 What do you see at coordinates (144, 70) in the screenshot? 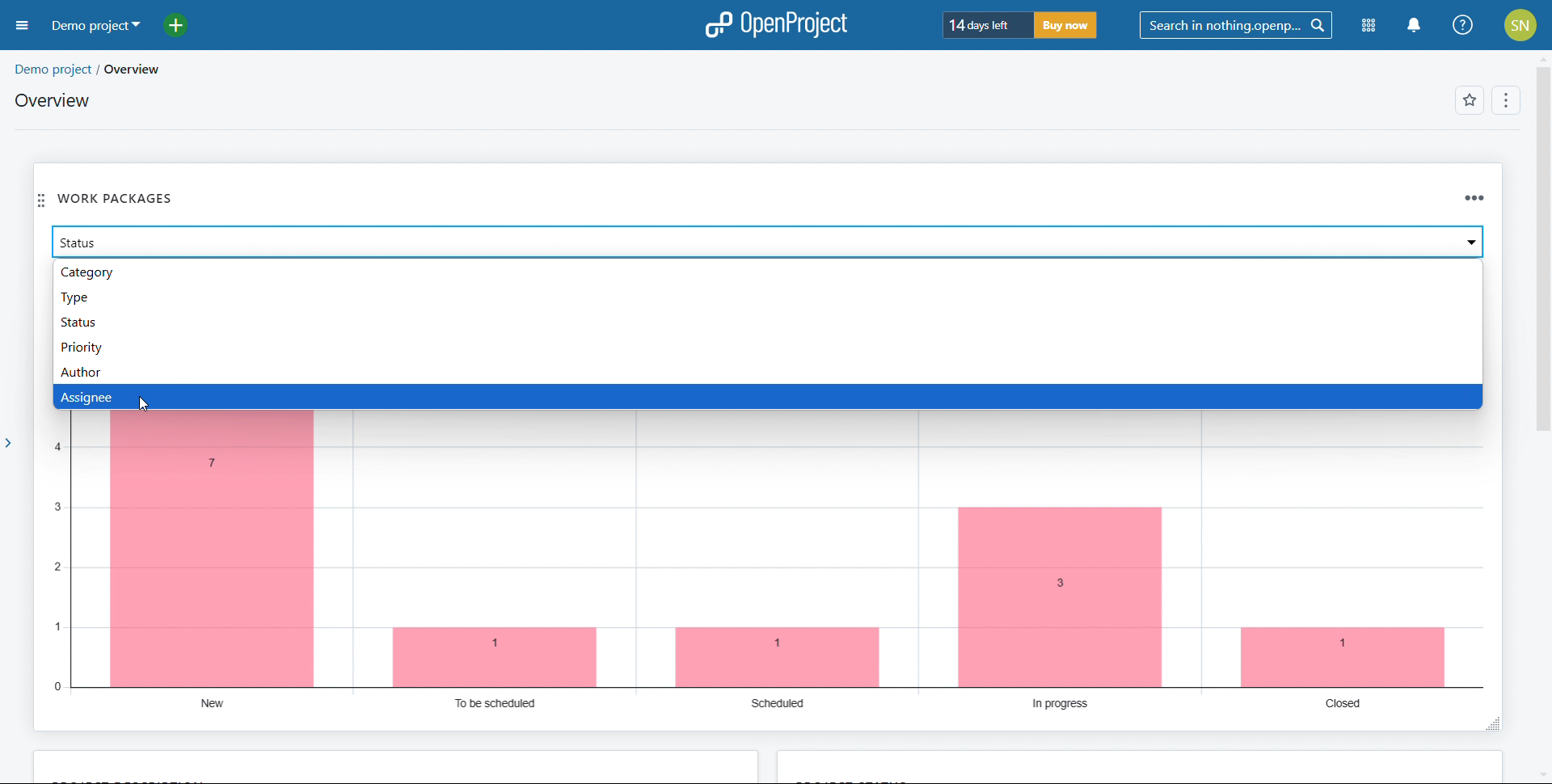
I see `overview` at bounding box center [144, 70].